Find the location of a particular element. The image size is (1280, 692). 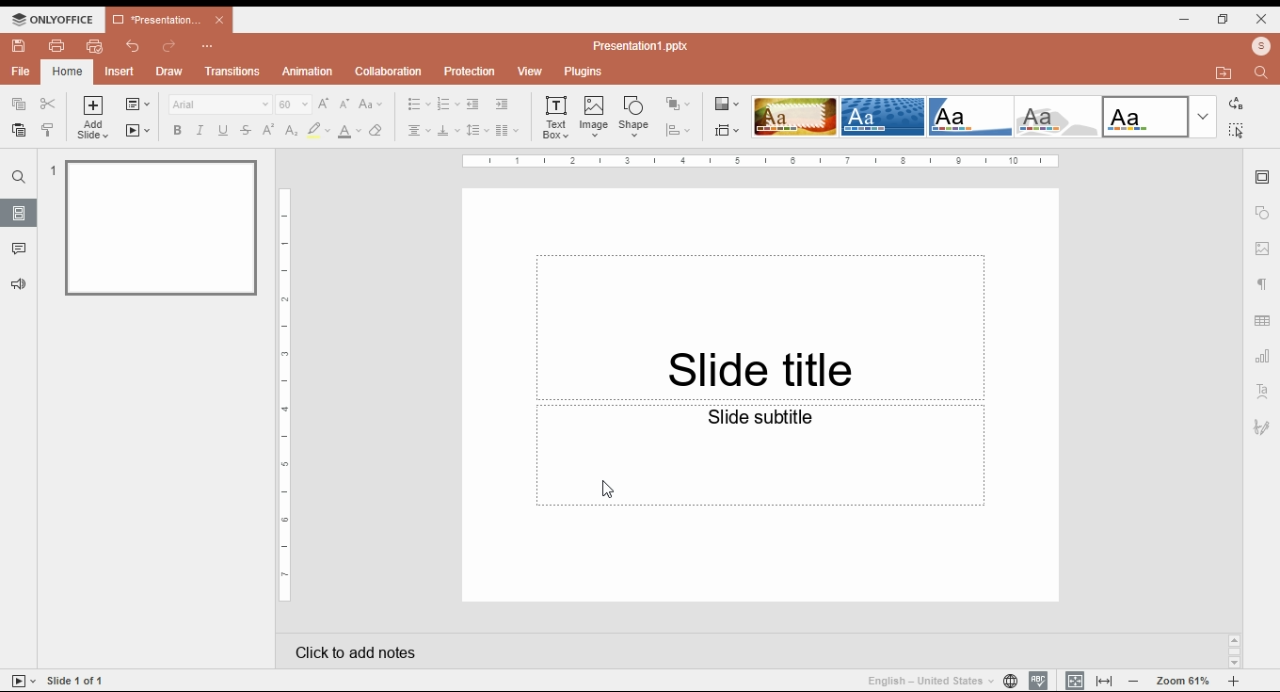

zoom in/zoom out is located at coordinates (1234, 681).